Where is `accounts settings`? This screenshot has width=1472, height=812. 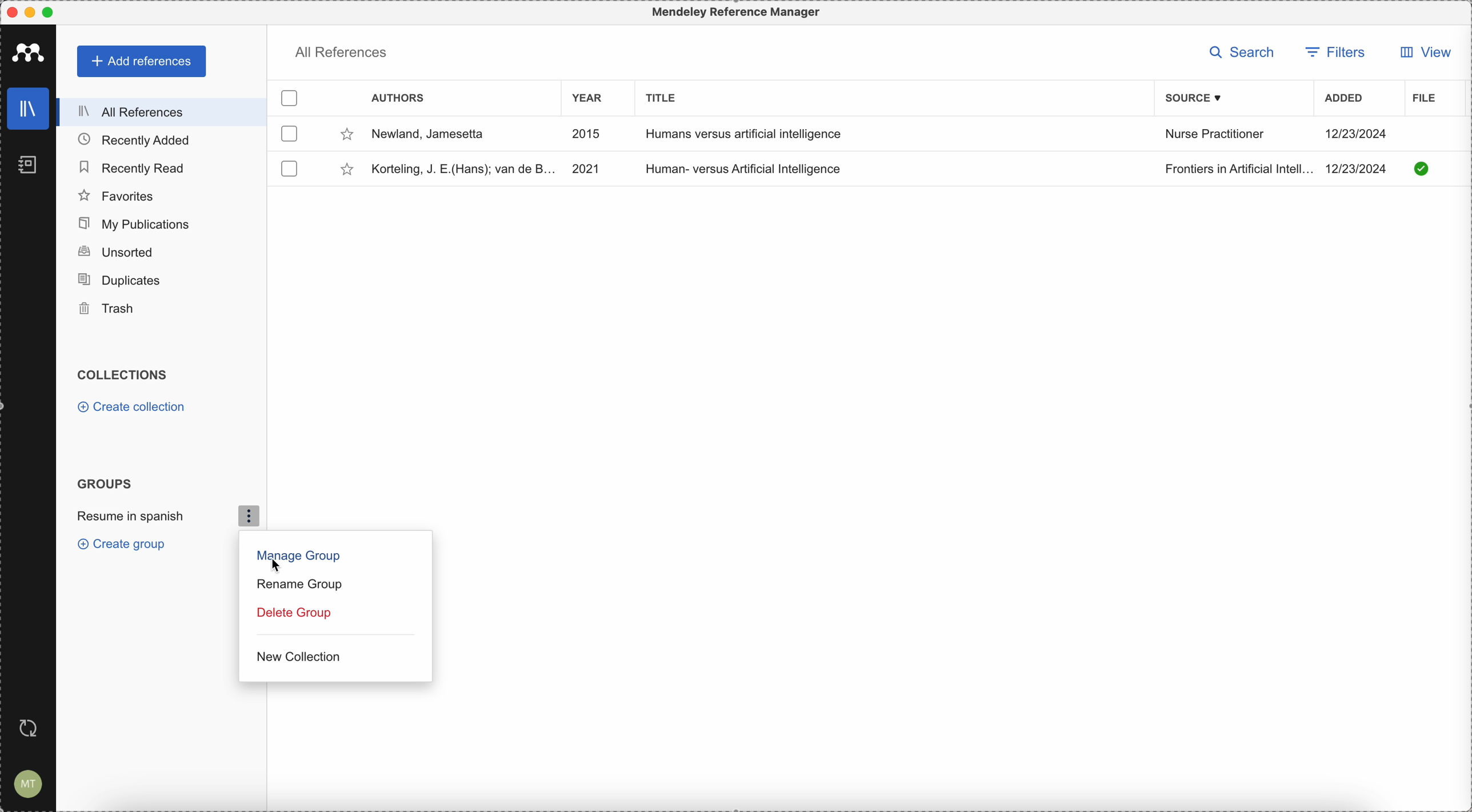 accounts settings is located at coordinates (30, 783).